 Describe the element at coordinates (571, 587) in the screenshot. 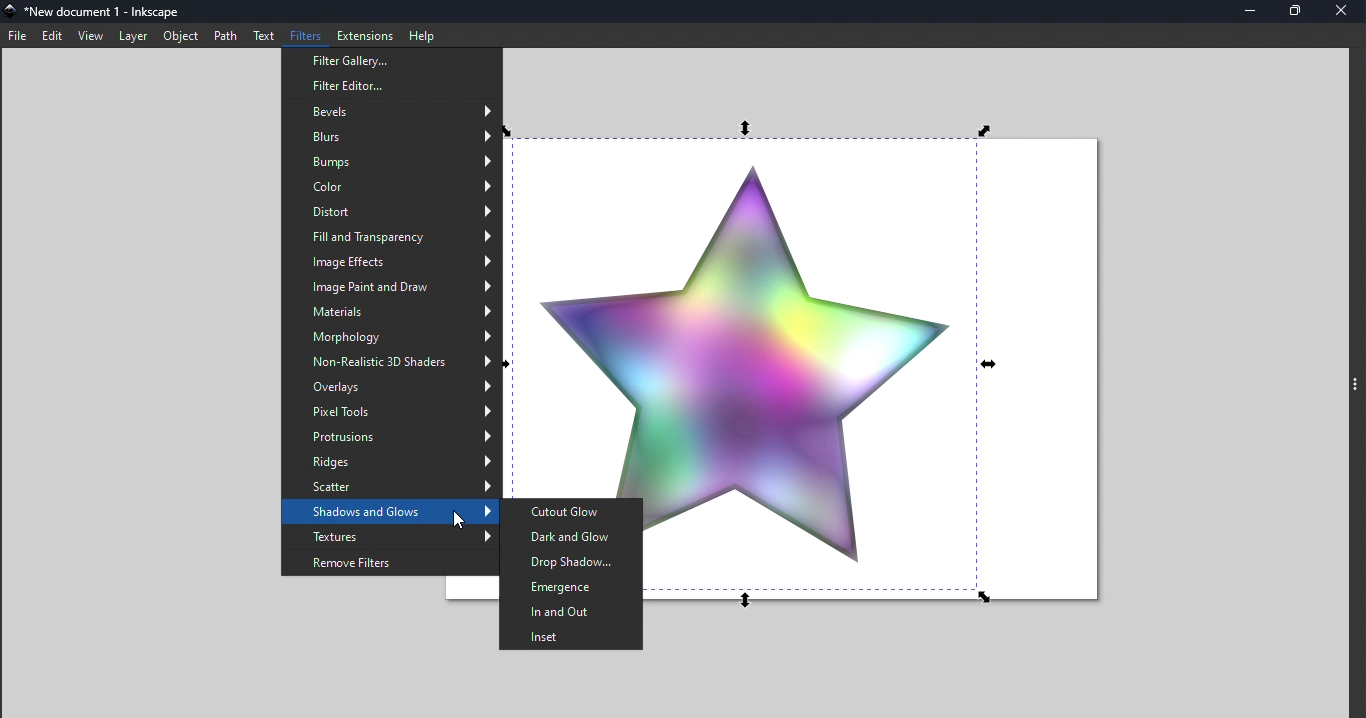

I see `Emergence` at that location.